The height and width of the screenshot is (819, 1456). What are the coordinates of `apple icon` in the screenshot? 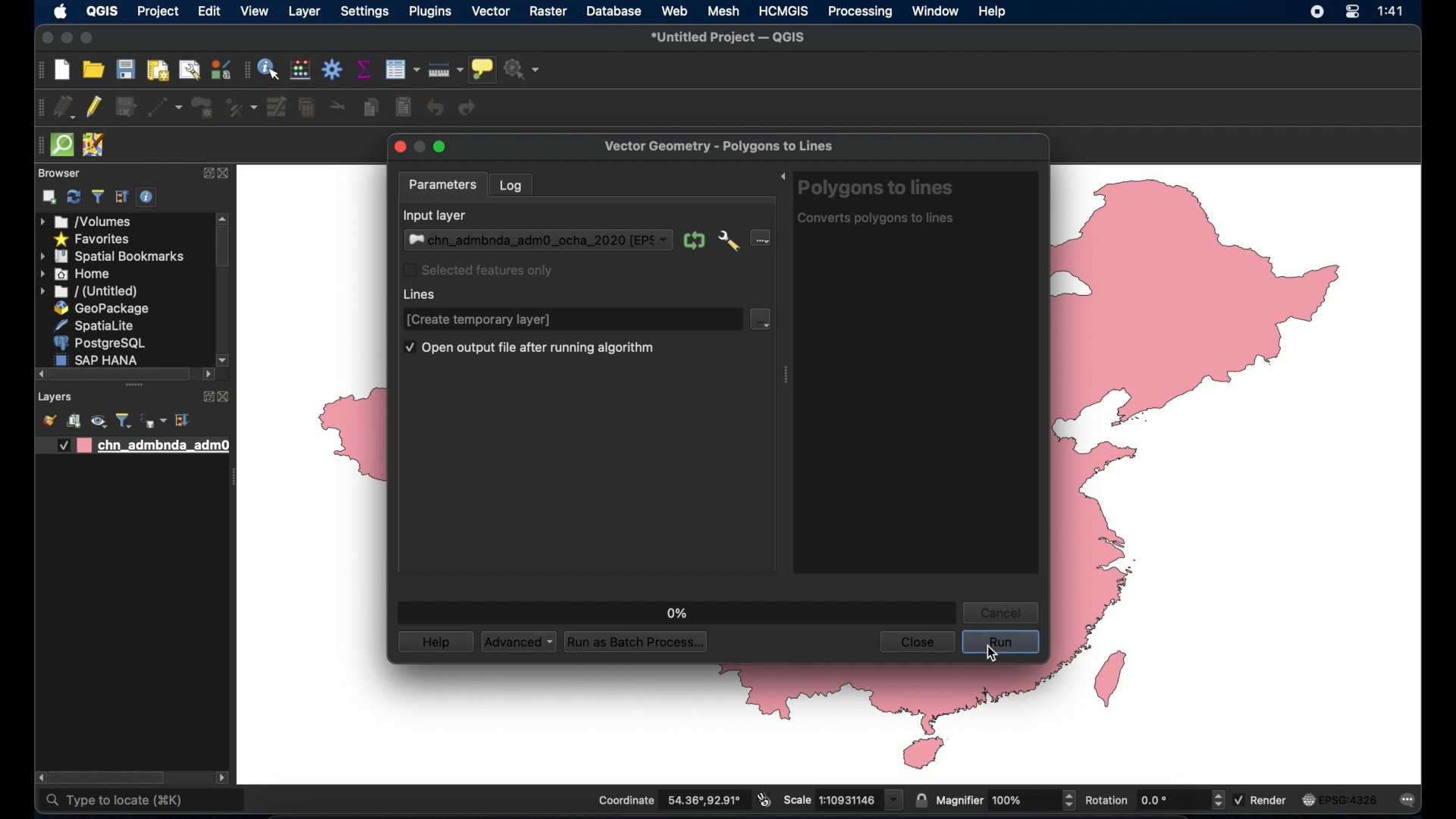 It's located at (61, 12).